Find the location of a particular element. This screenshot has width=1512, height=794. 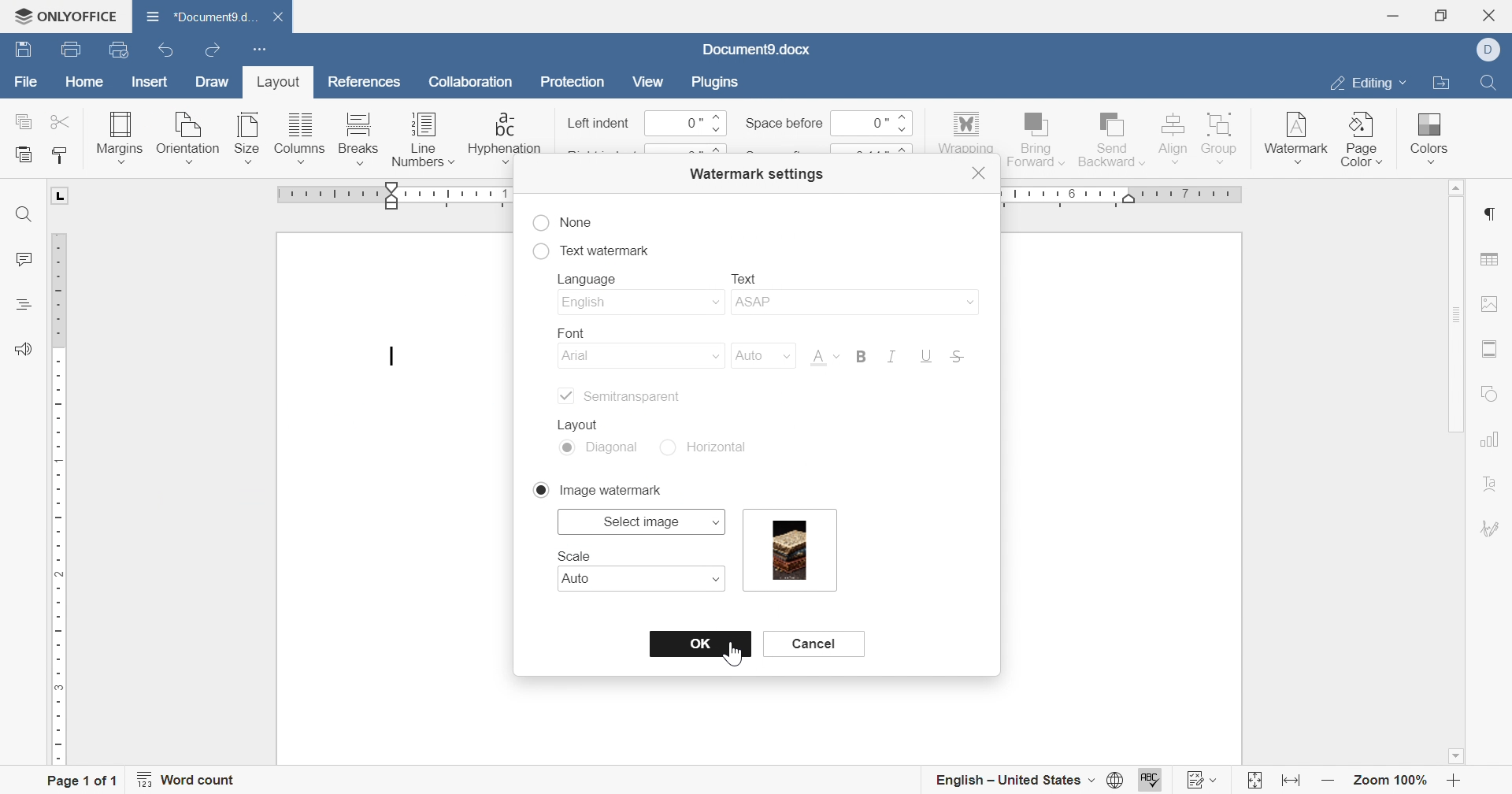

set document language is located at coordinates (1121, 780).